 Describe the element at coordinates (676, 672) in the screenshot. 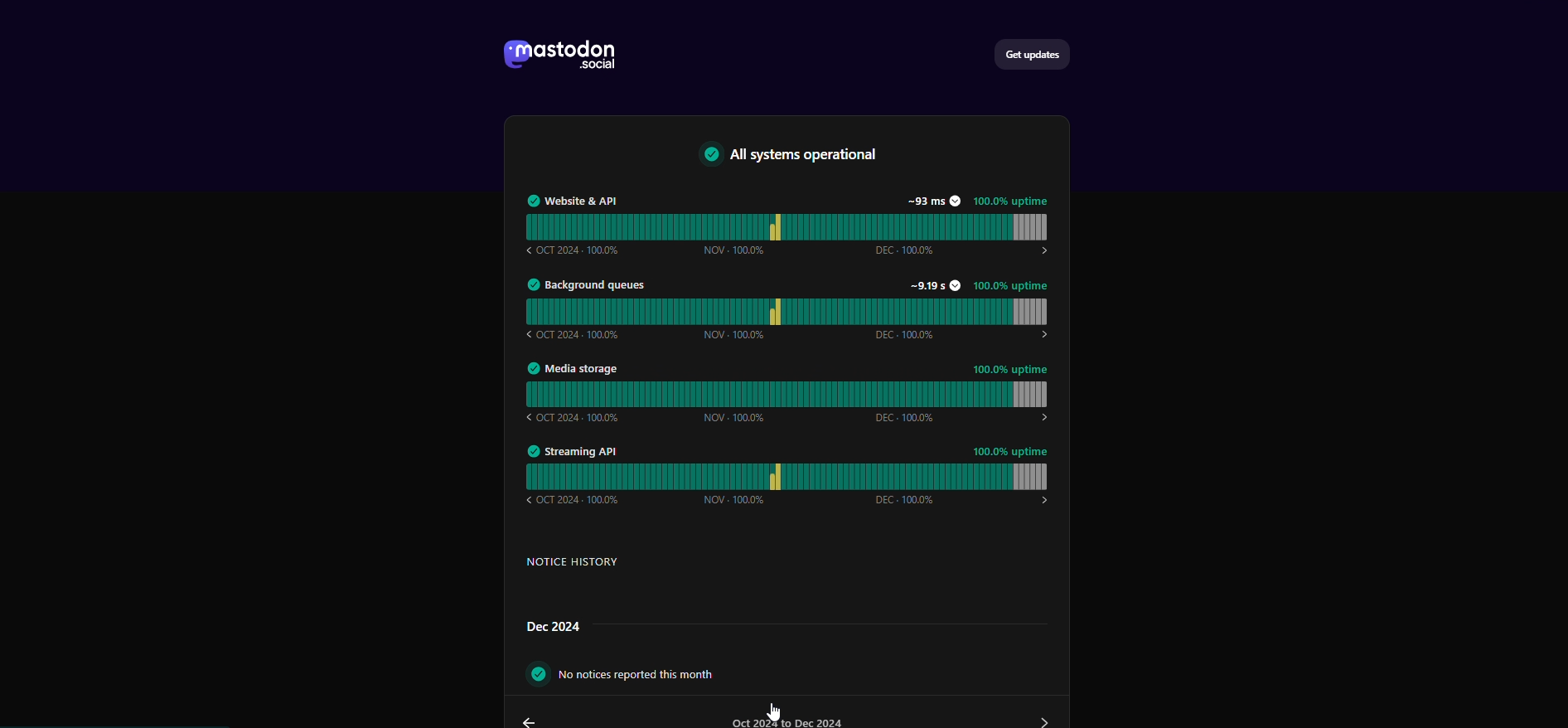

I see `instruction` at that location.